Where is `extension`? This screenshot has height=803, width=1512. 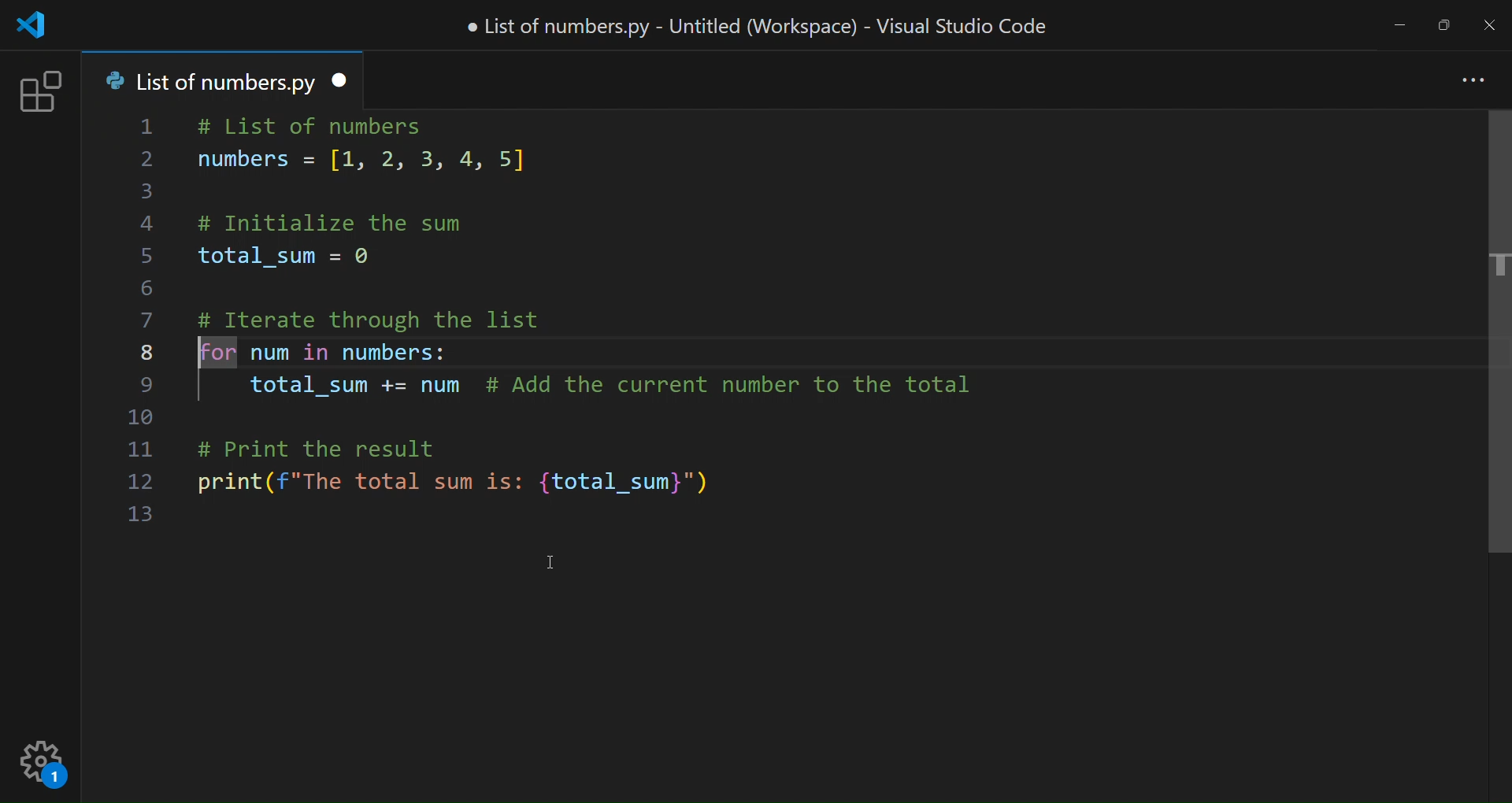 extension is located at coordinates (41, 95).